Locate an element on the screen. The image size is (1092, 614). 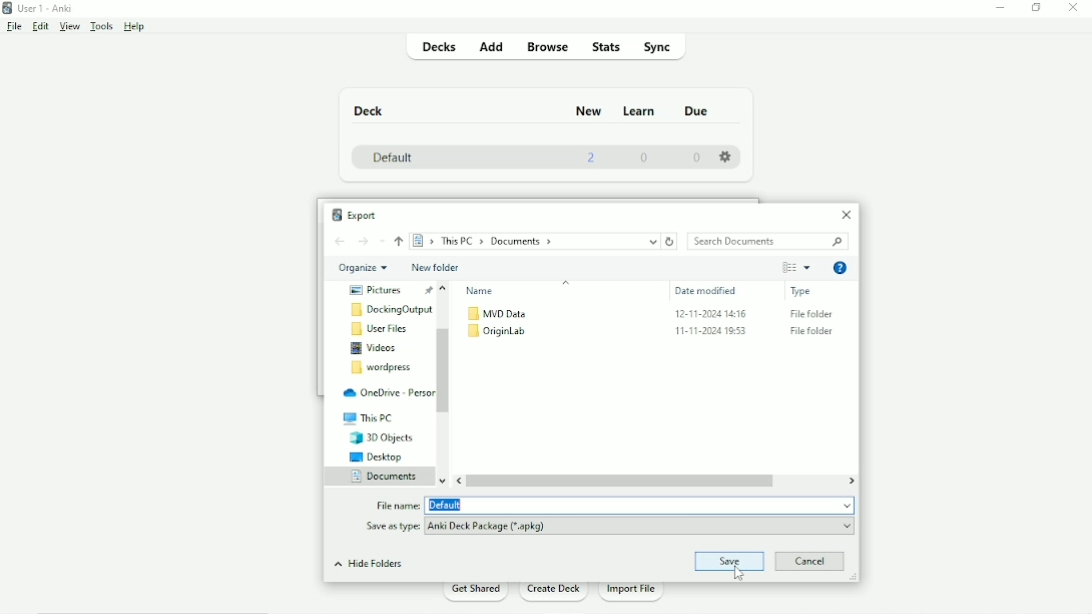
Minimize is located at coordinates (998, 8).